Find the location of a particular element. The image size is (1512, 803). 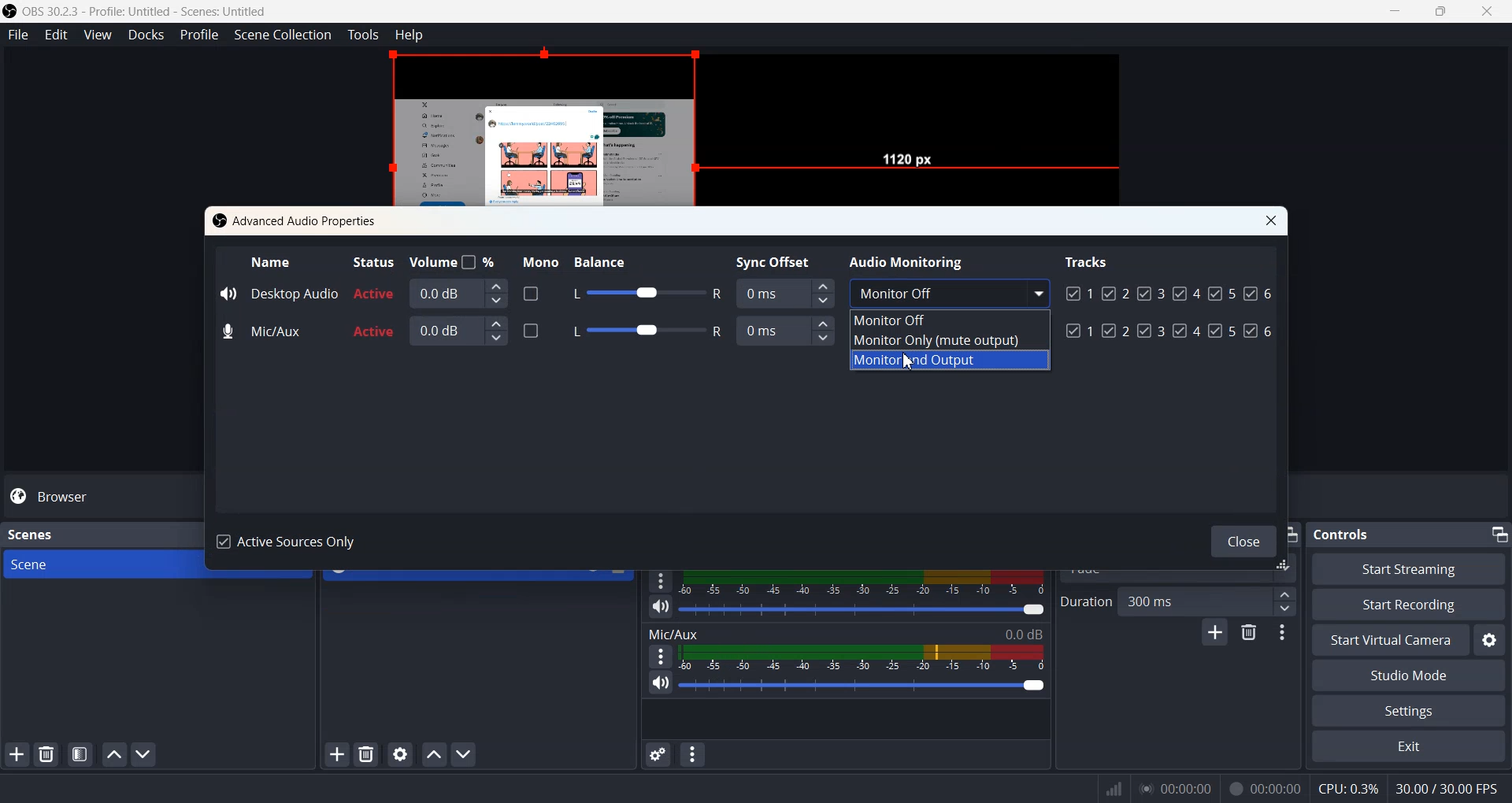

Help is located at coordinates (409, 34).